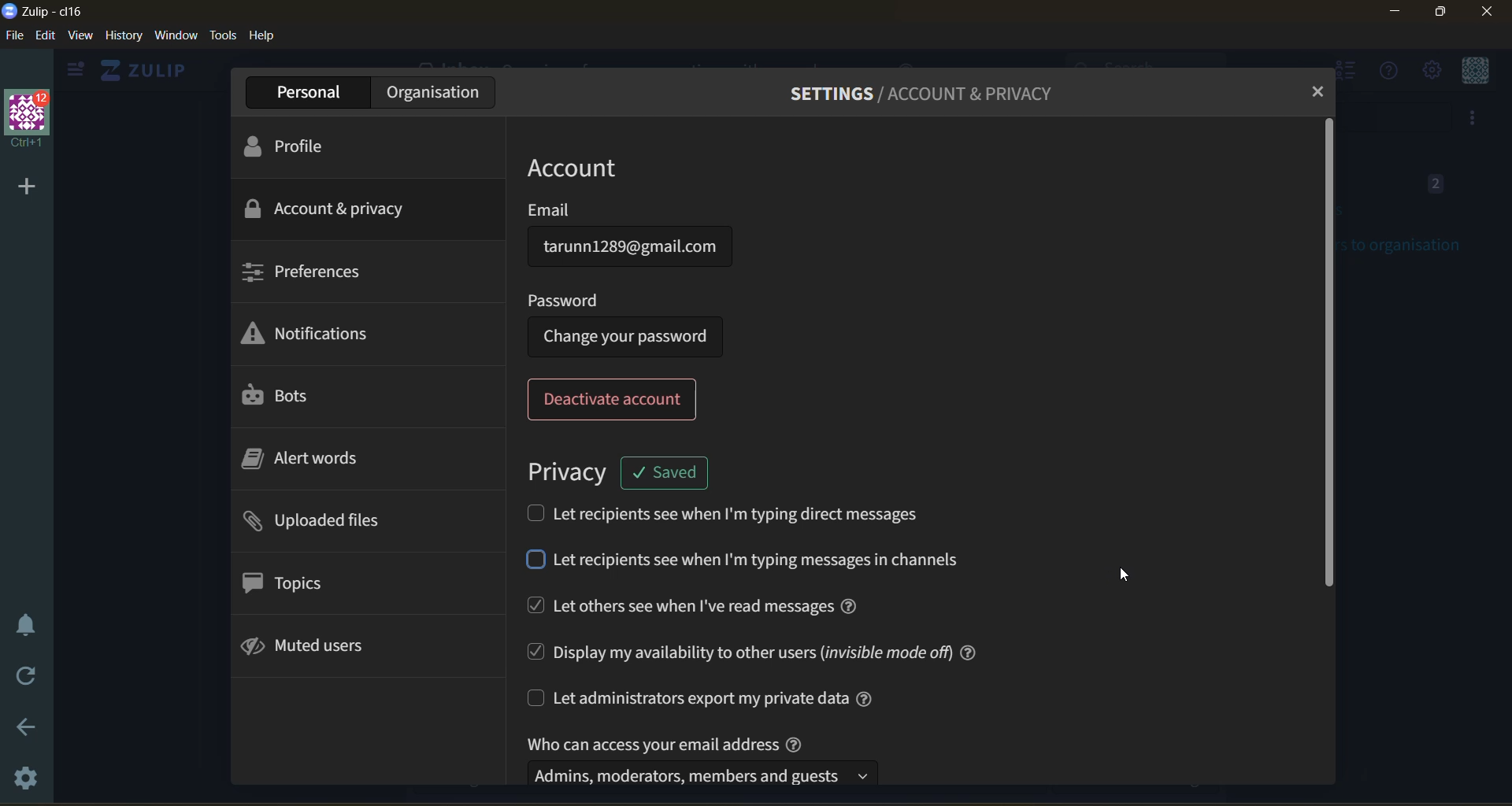  Describe the element at coordinates (632, 323) in the screenshot. I see `password: (change your password)` at that location.